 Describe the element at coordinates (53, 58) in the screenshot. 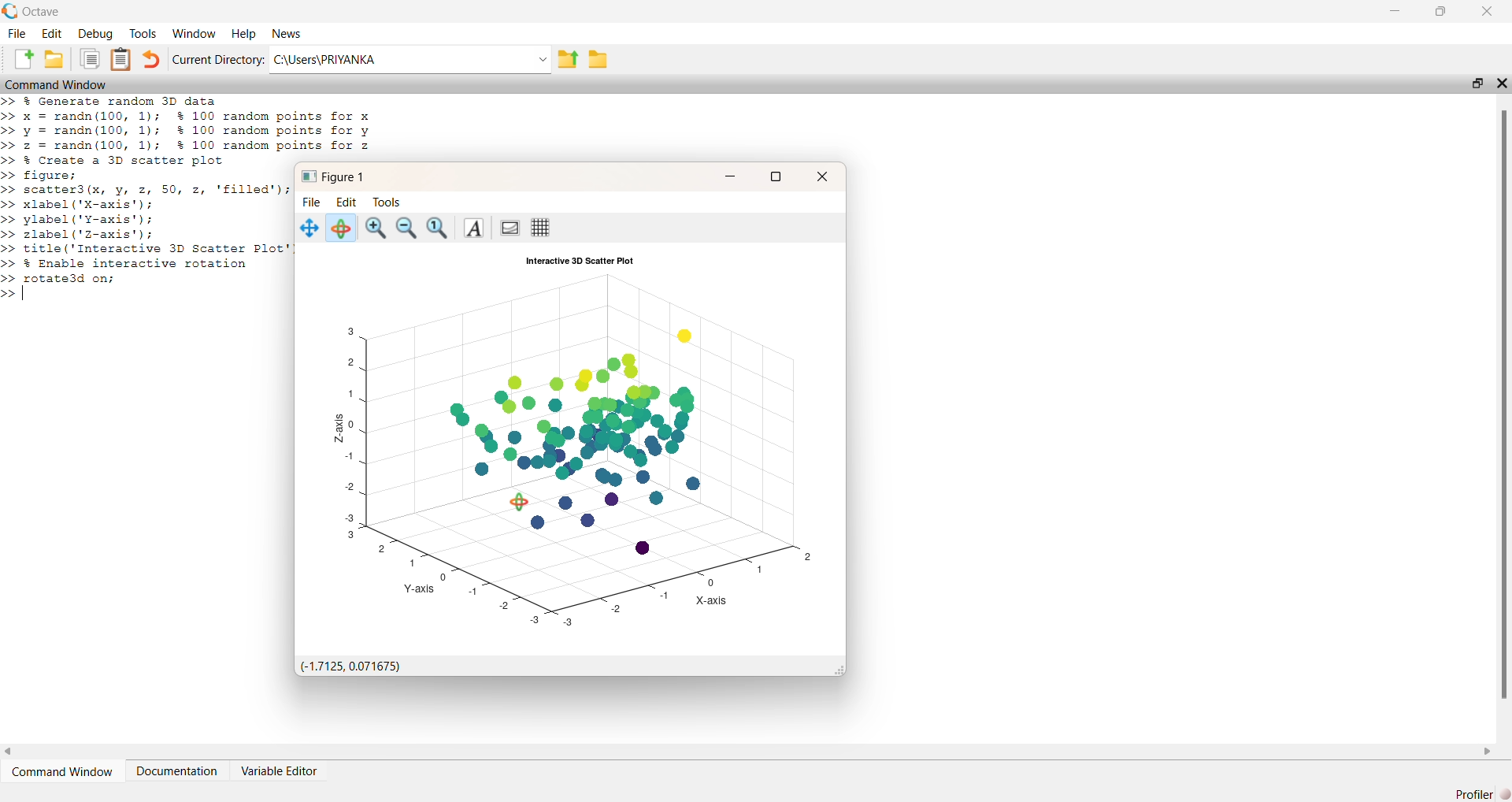

I see `folder` at that location.